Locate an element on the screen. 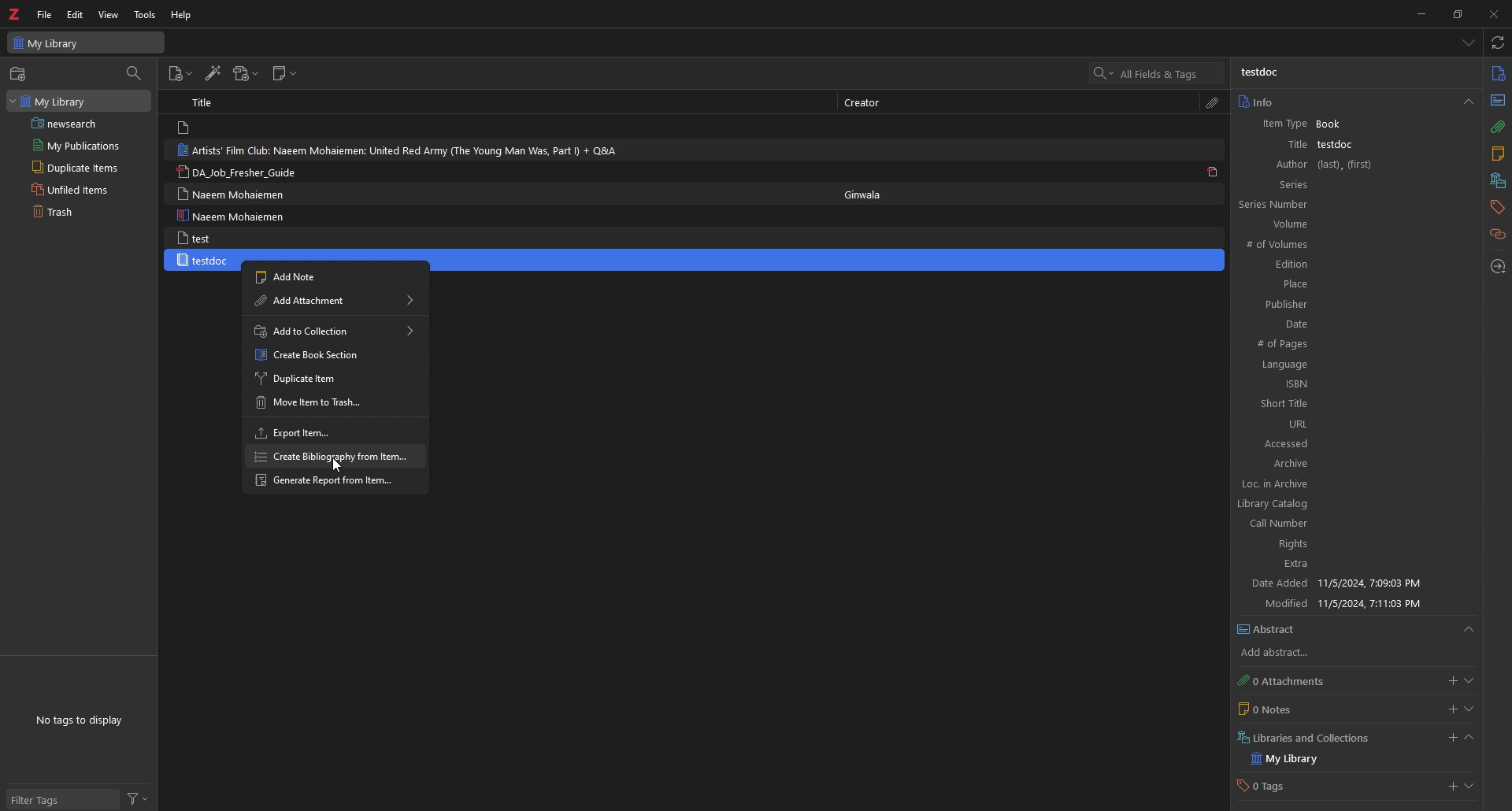 Image resolution: width=1512 pixels, height=811 pixels. Title is located at coordinates (206, 102).